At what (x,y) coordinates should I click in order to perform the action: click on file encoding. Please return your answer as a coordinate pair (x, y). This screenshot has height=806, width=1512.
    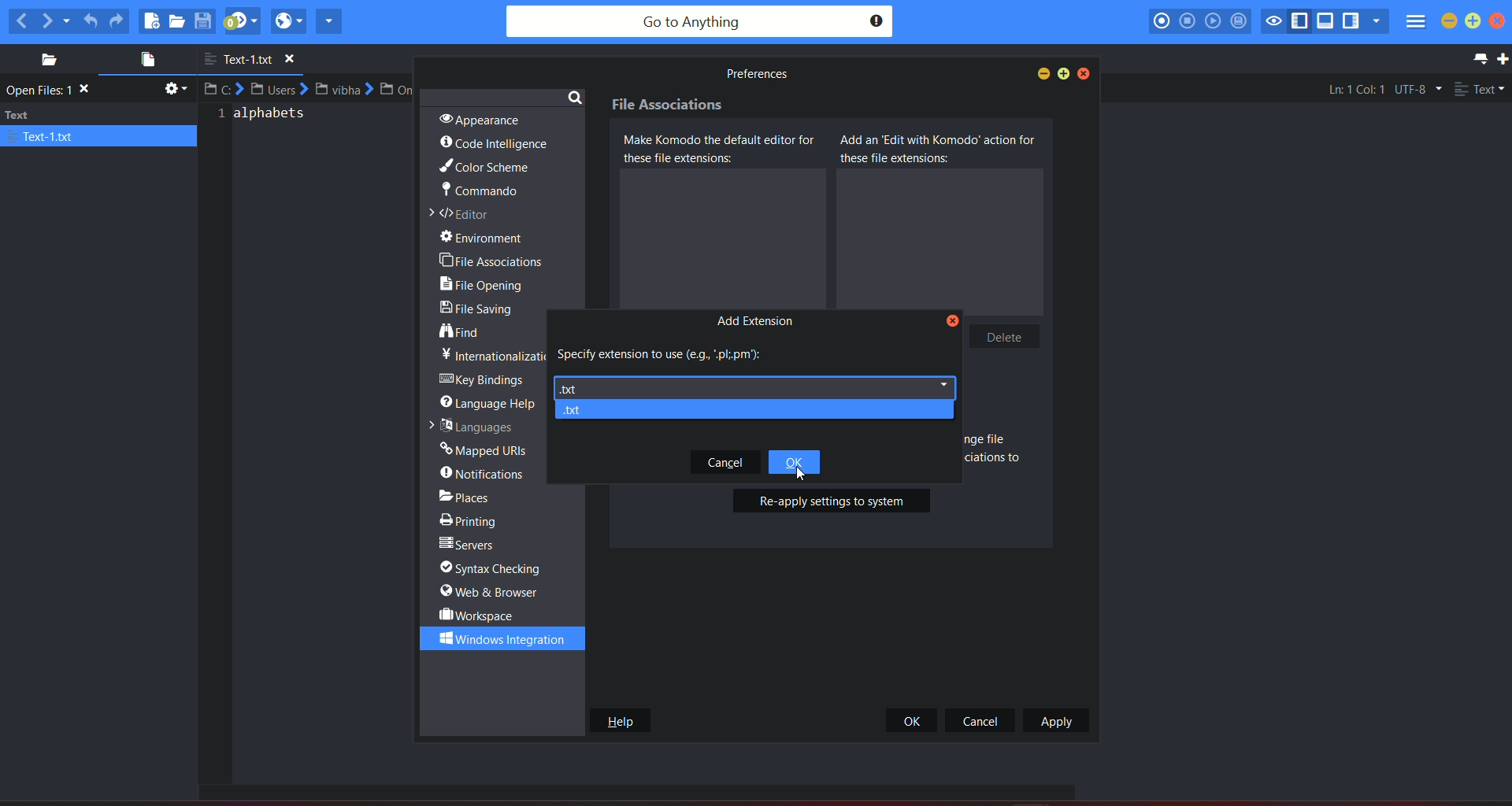
    Looking at the image, I should click on (1417, 89).